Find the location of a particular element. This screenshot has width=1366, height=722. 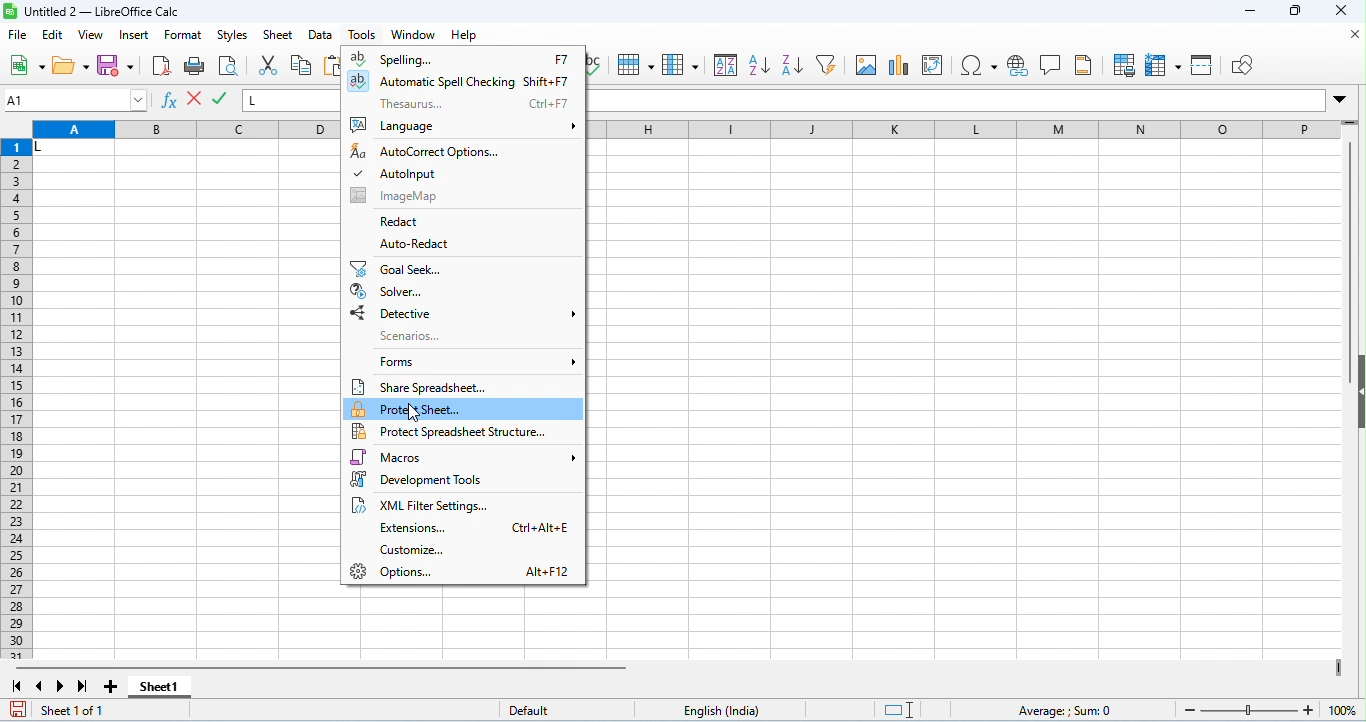

header and footer is located at coordinates (1083, 65).